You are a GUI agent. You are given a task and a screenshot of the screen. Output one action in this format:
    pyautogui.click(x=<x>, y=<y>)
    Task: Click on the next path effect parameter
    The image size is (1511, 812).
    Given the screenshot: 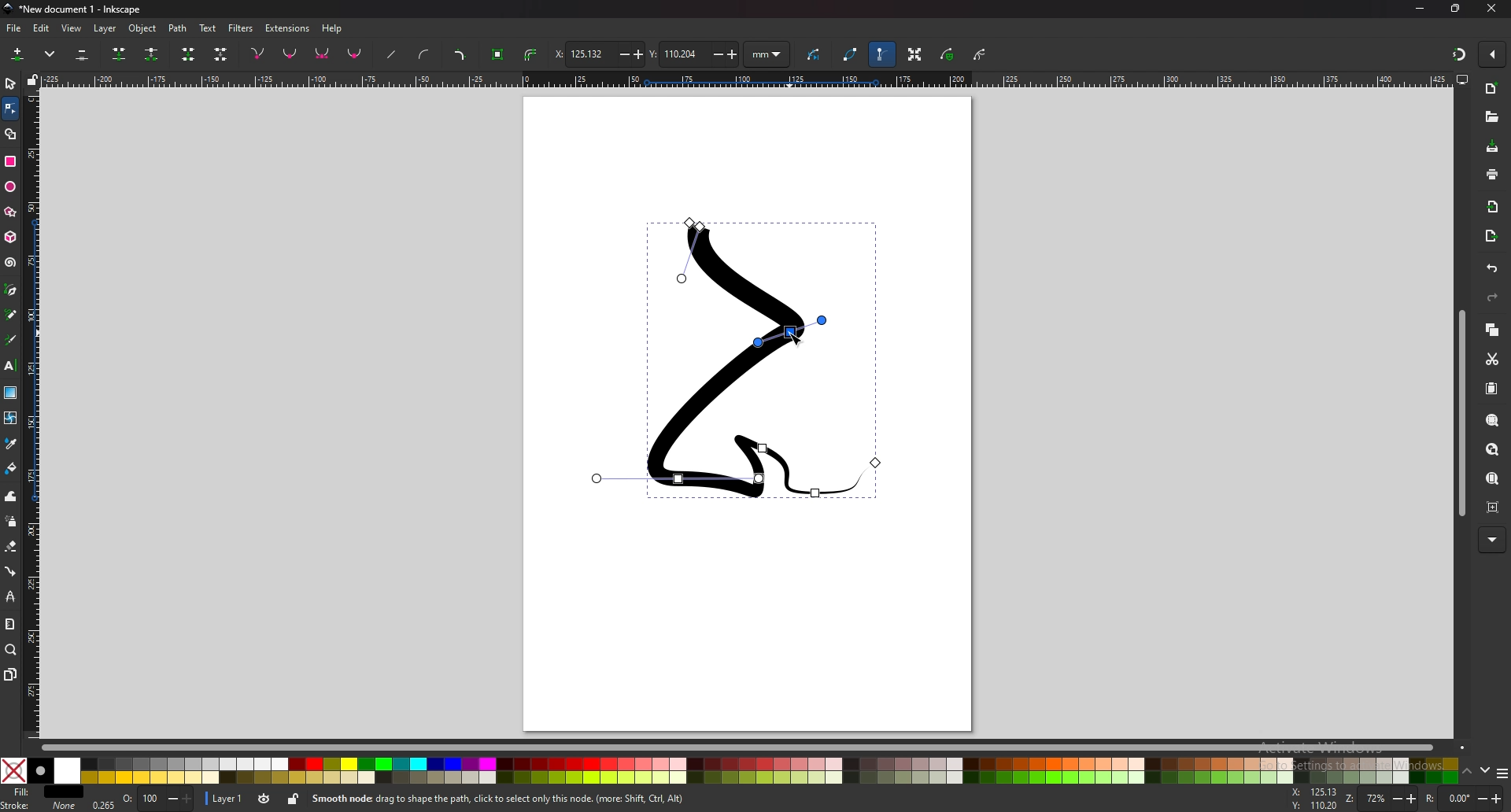 What is the action you would take?
    pyautogui.click(x=816, y=55)
    